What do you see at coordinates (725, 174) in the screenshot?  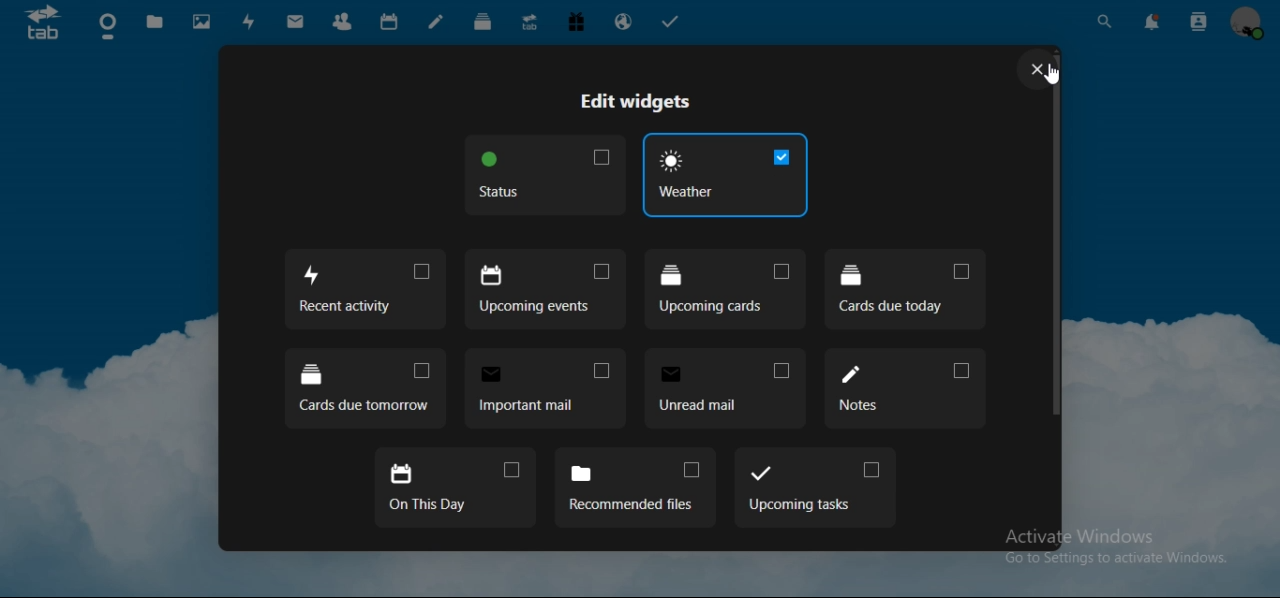 I see `weather` at bounding box center [725, 174].